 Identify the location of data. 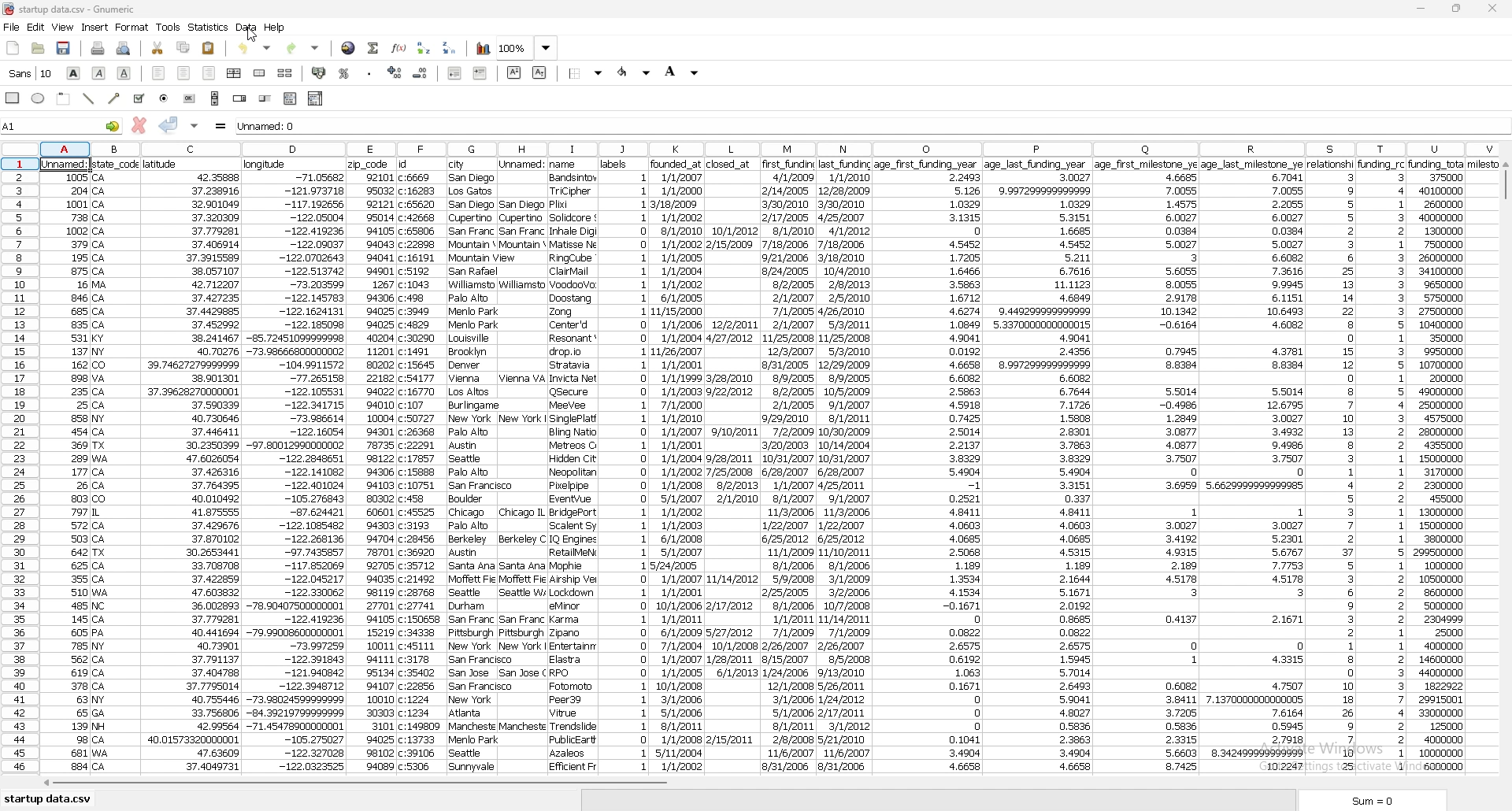
(191, 466).